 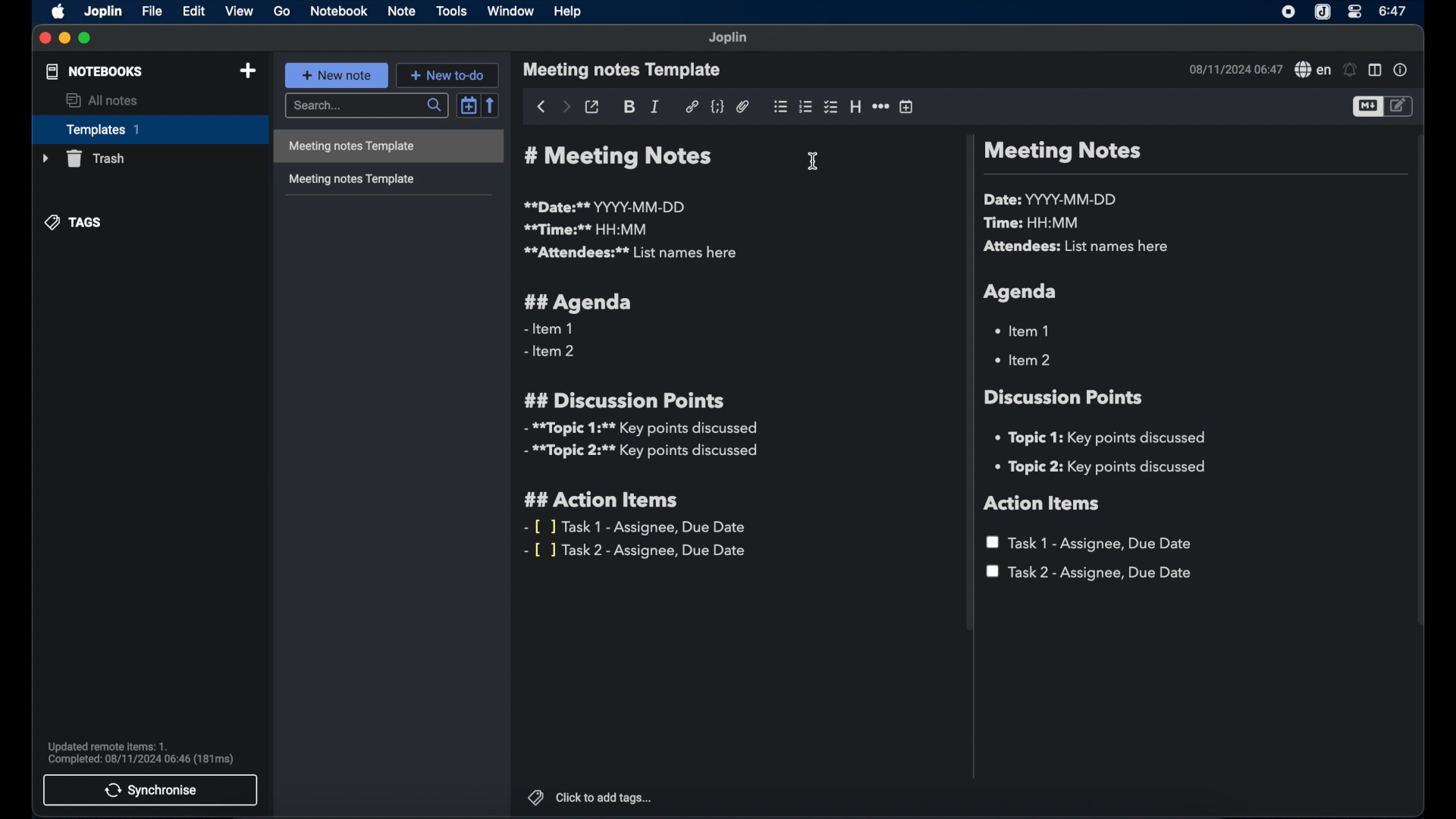 What do you see at coordinates (636, 527) in the screenshot?
I see `- [ ] task 1- assignee, due date` at bounding box center [636, 527].